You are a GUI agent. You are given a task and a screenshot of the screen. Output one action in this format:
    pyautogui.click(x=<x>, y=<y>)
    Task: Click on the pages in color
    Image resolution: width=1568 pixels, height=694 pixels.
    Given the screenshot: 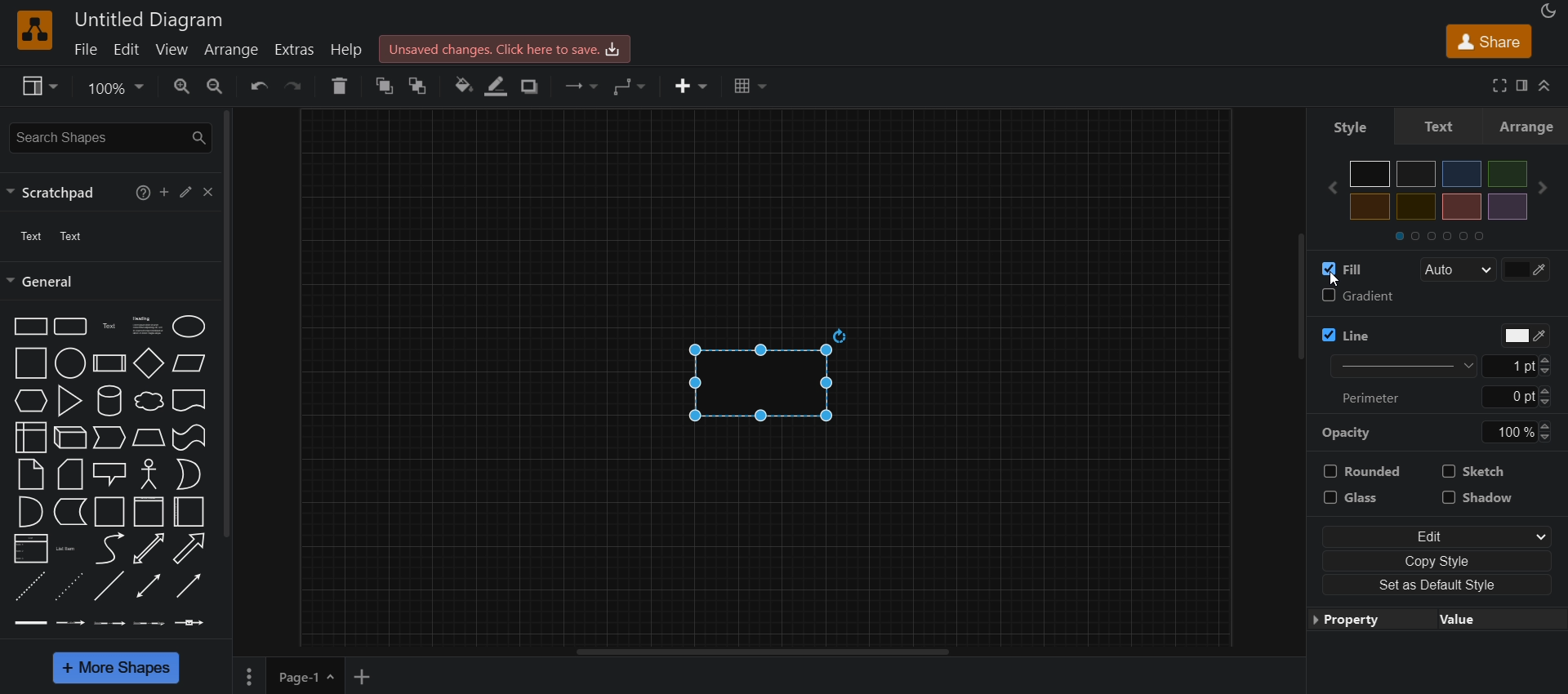 What is the action you would take?
    pyautogui.click(x=1450, y=236)
    